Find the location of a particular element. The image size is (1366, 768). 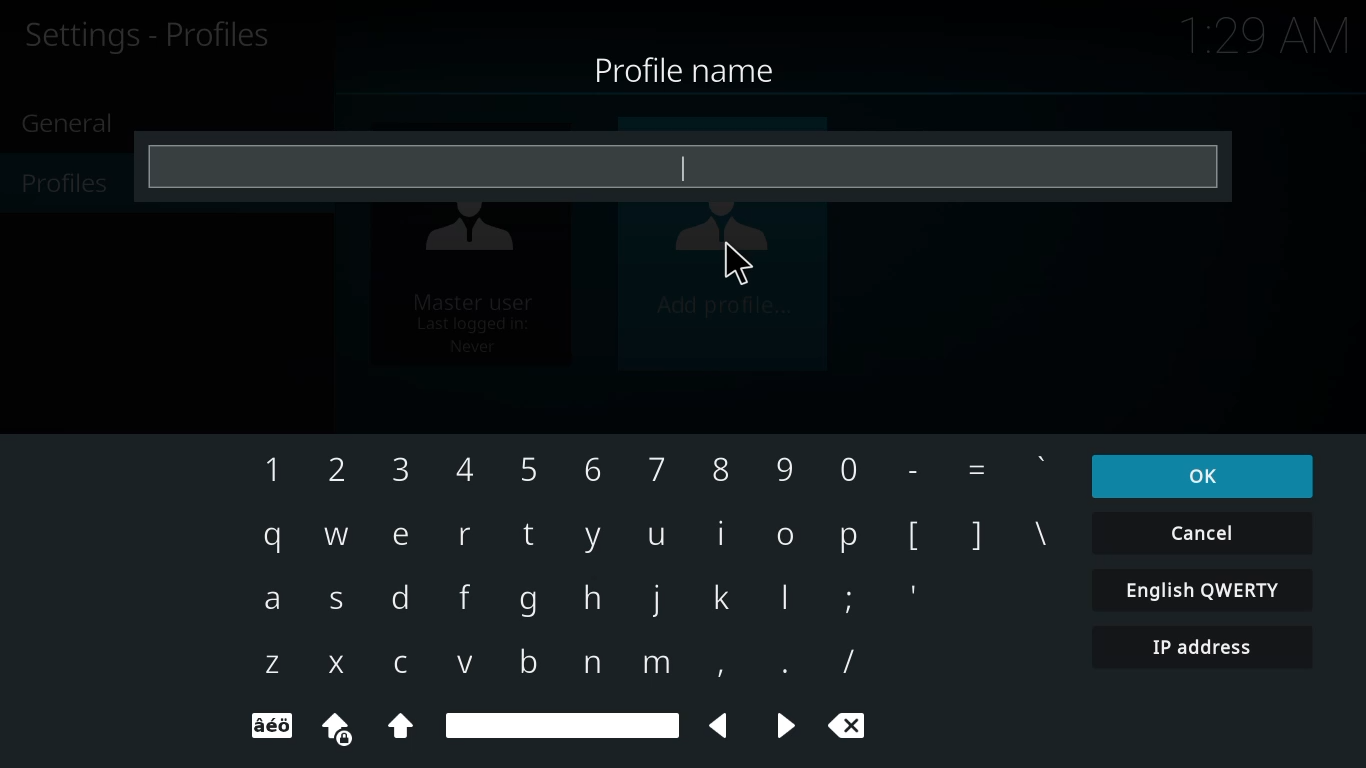

english qwerty is located at coordinates (1204, 588).